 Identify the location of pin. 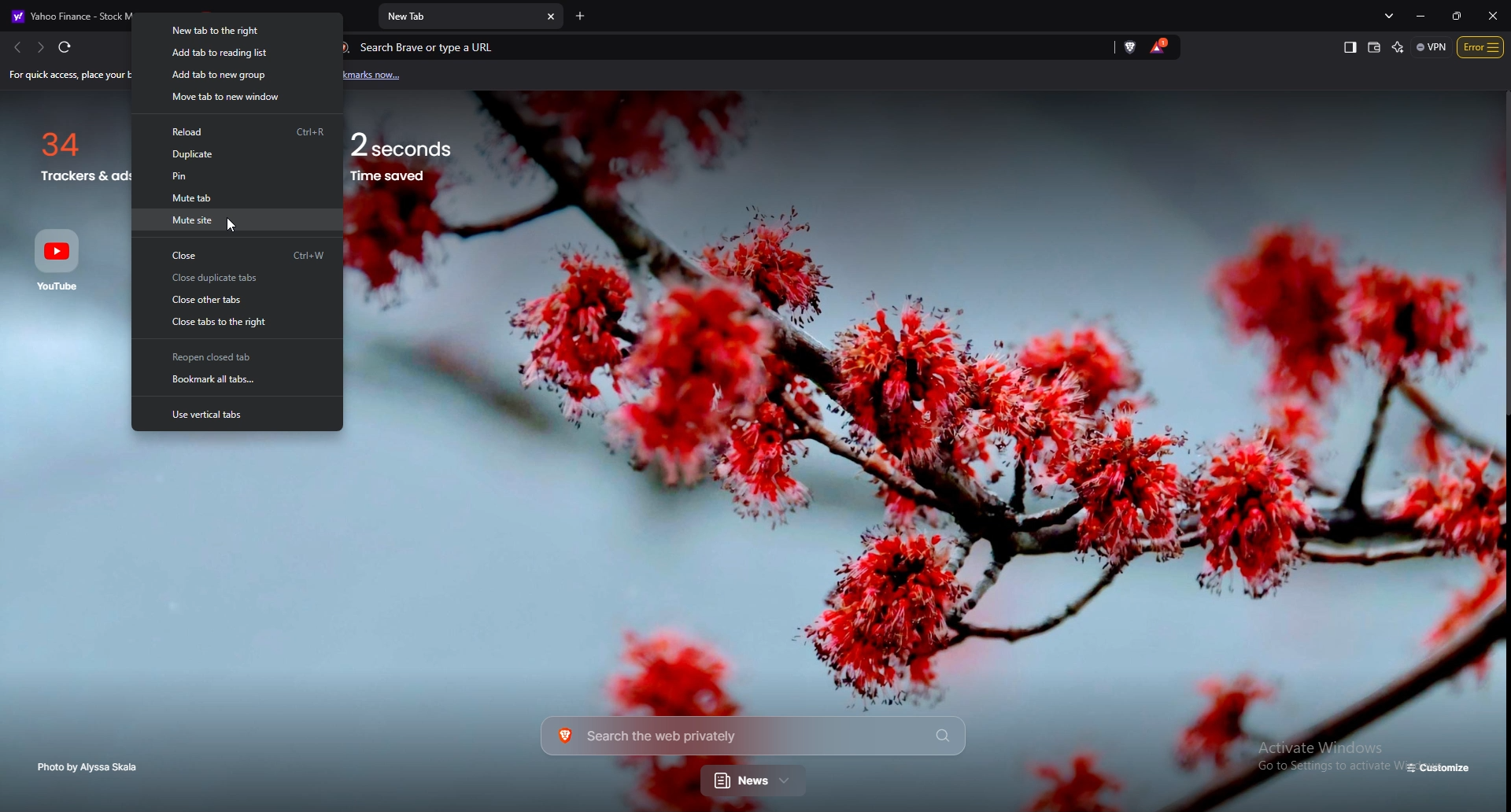
(236, 176).